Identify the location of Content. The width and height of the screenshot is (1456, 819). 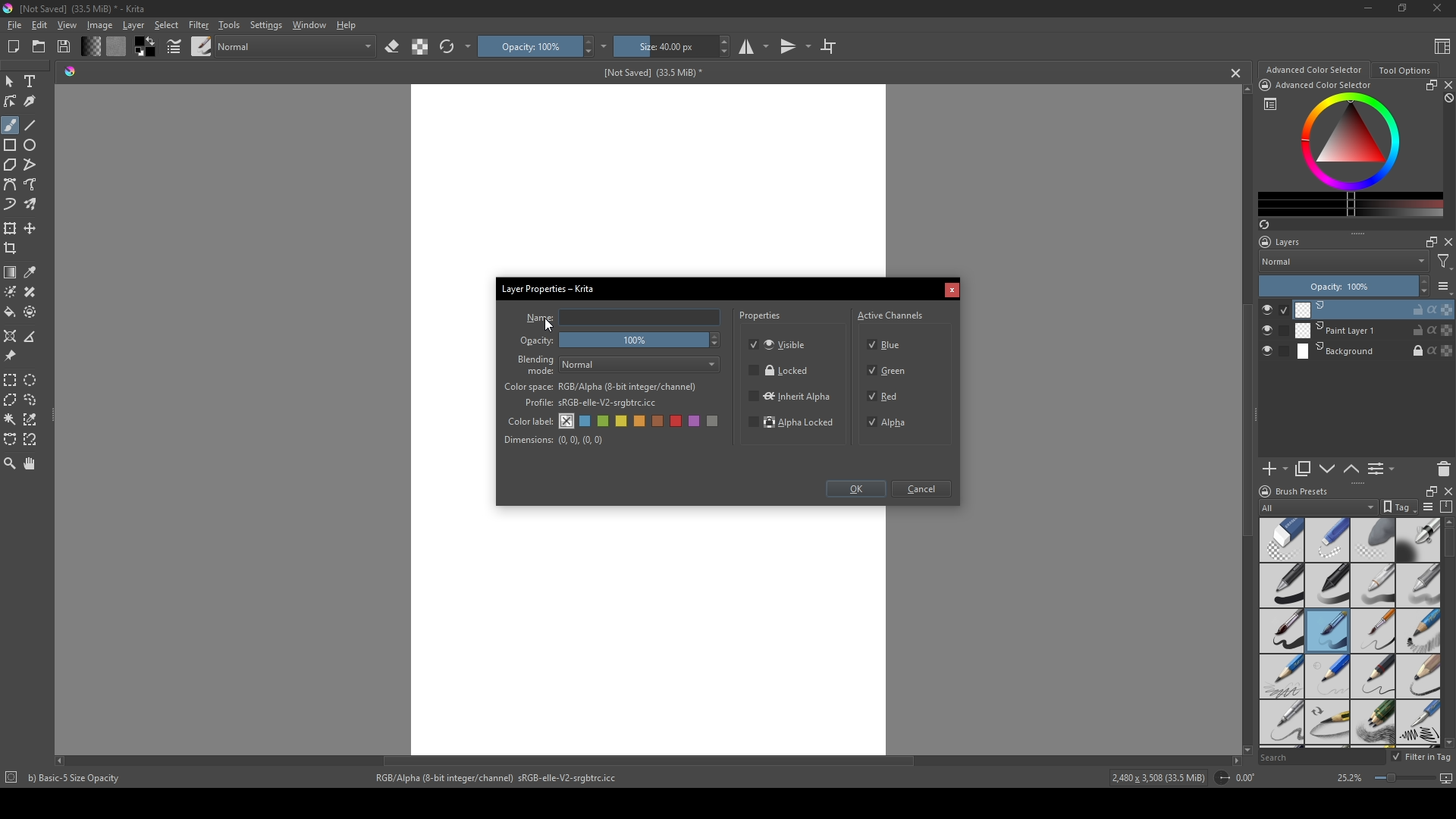
(1442, 45).